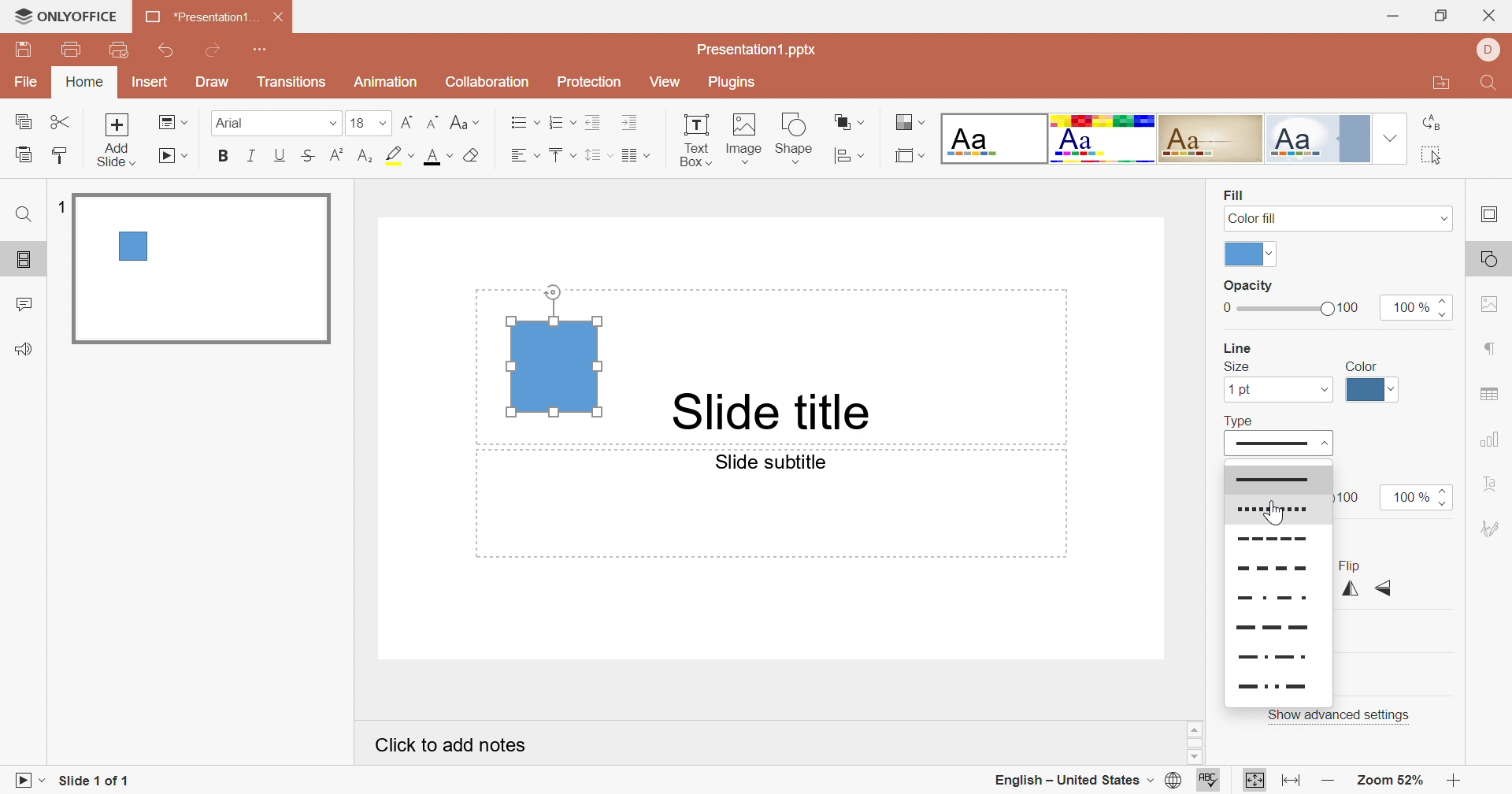 This screenshot has height=794, width=1512. Describe the element at coordinates (1236, 367) in the screenshot. I see `Size` at that location.